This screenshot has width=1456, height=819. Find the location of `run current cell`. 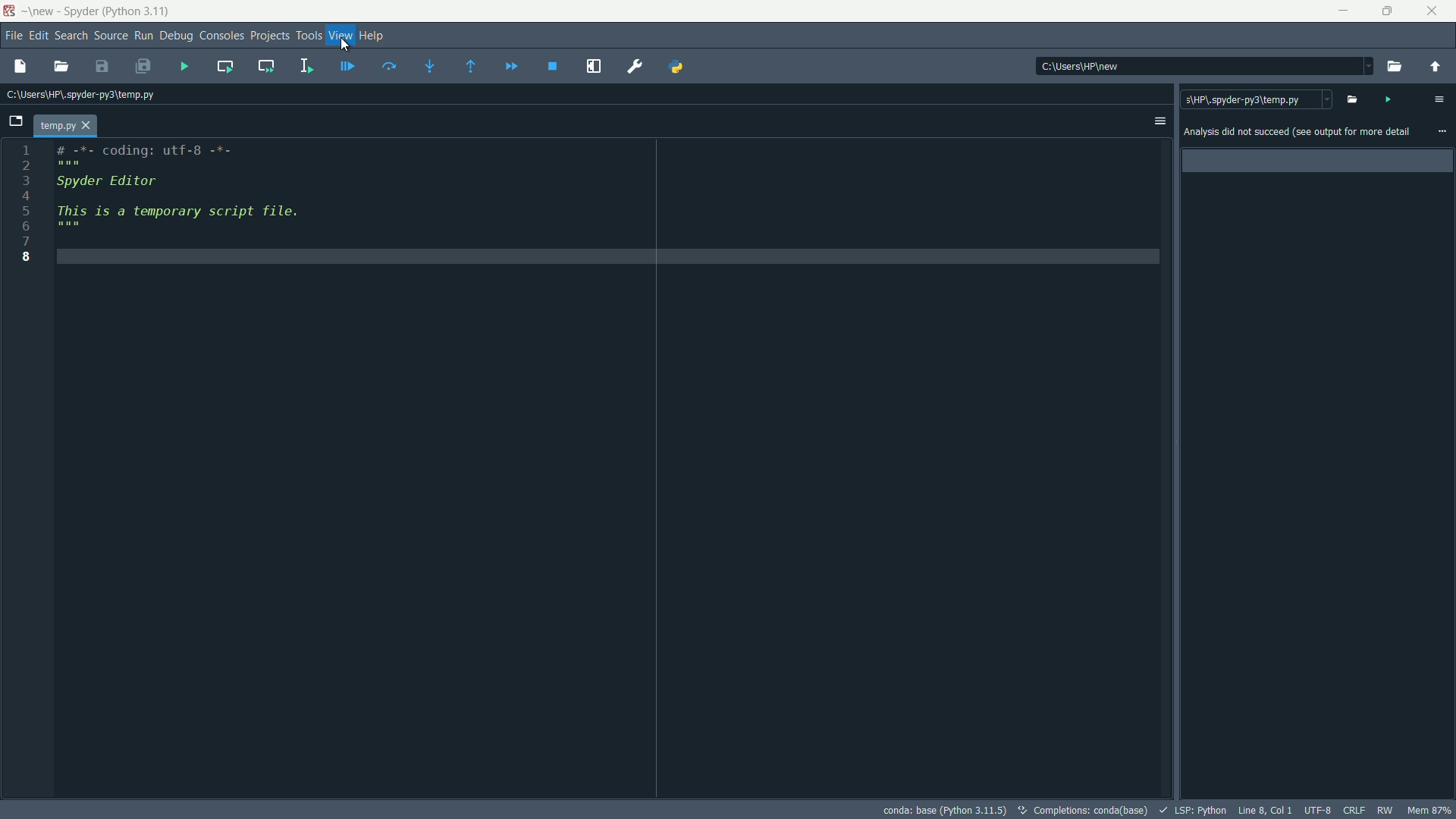

run current cell is located at coordinates (225, 67).